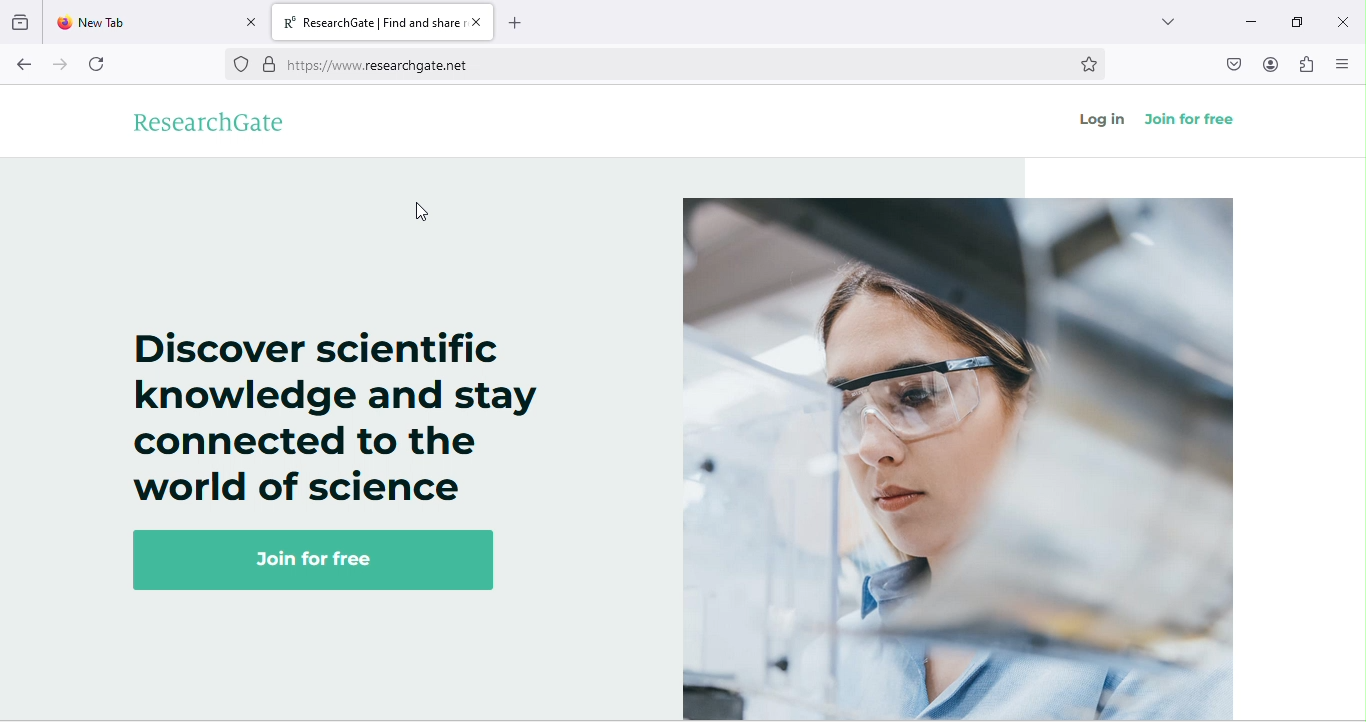  Describe the element at coordinates (1342, 19) in the screenshot. I see `close` at that location.